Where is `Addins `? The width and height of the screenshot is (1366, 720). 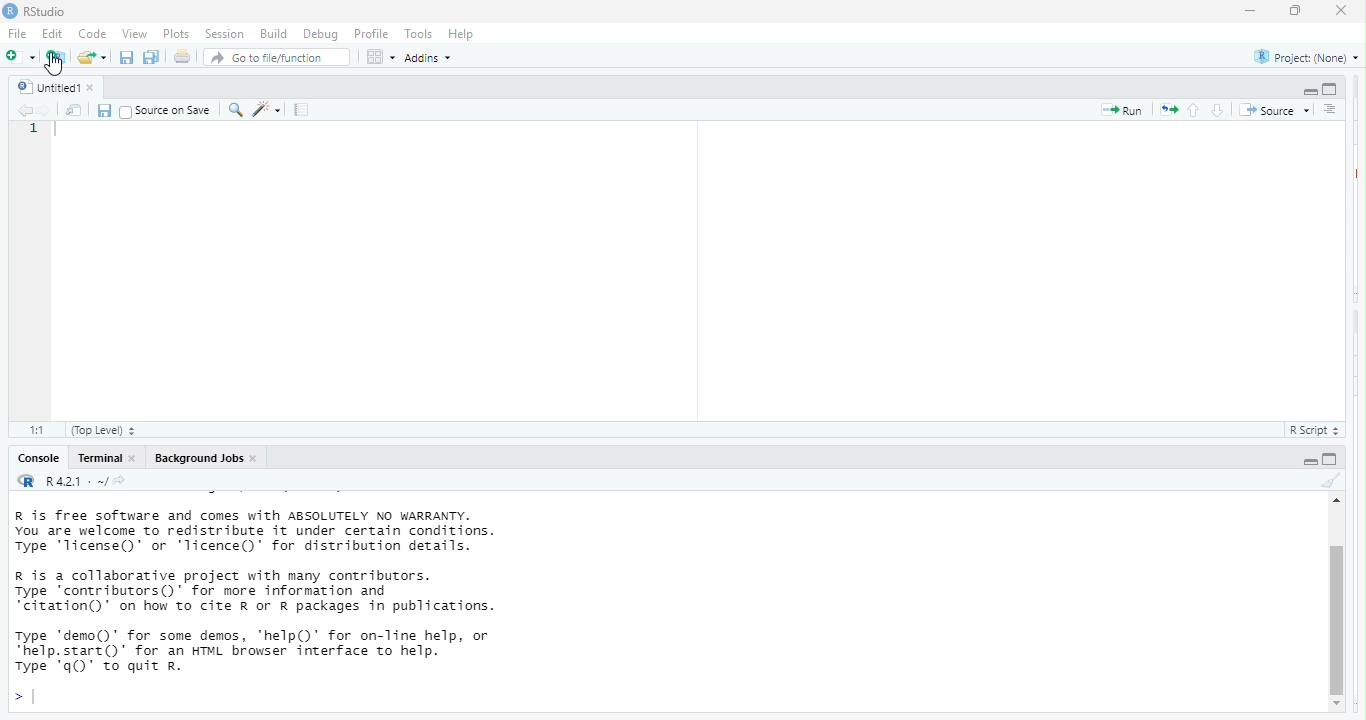 Addins  is located at coordinates (434, 59).